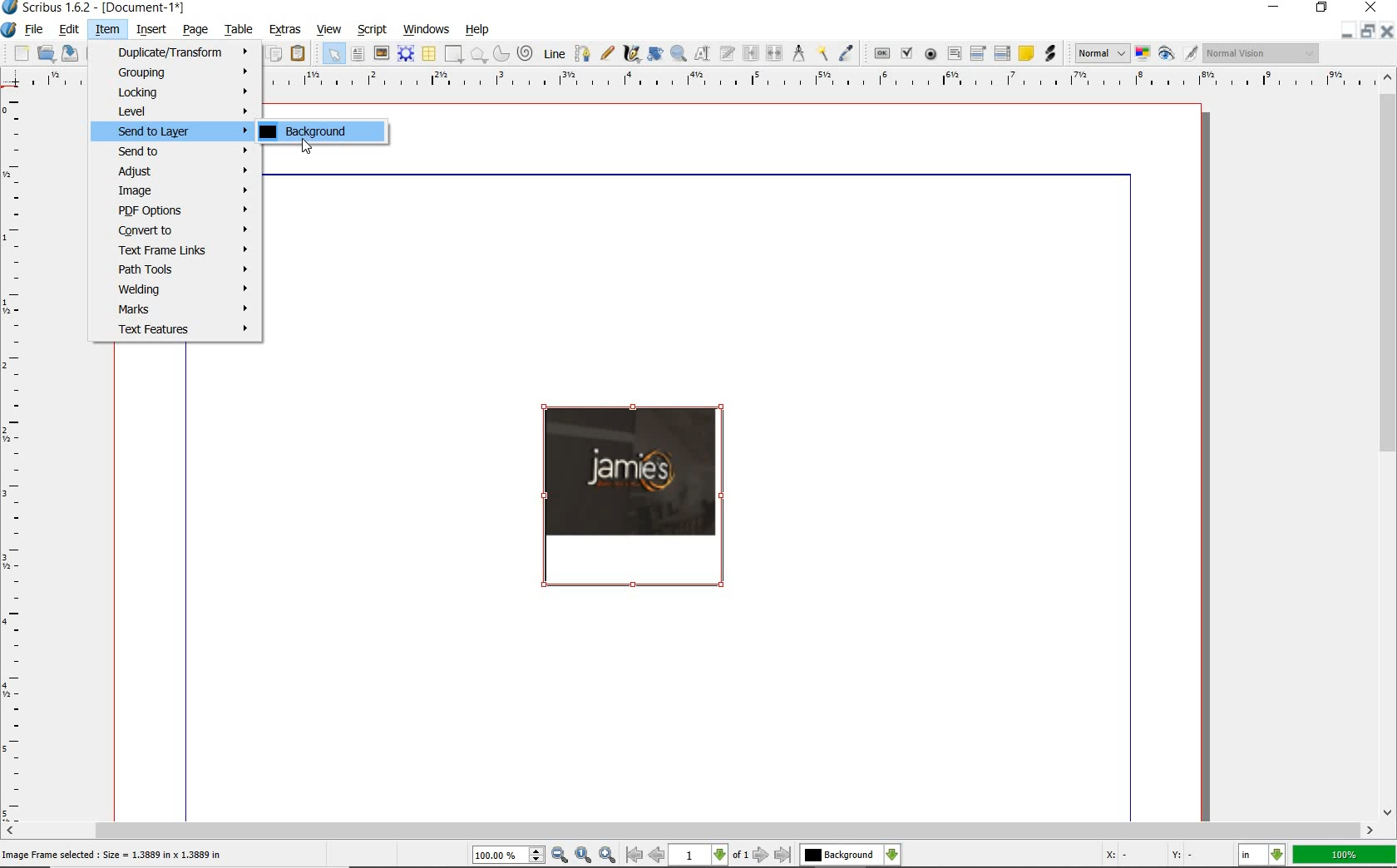  I want to click on Close, so click(1389, 31).